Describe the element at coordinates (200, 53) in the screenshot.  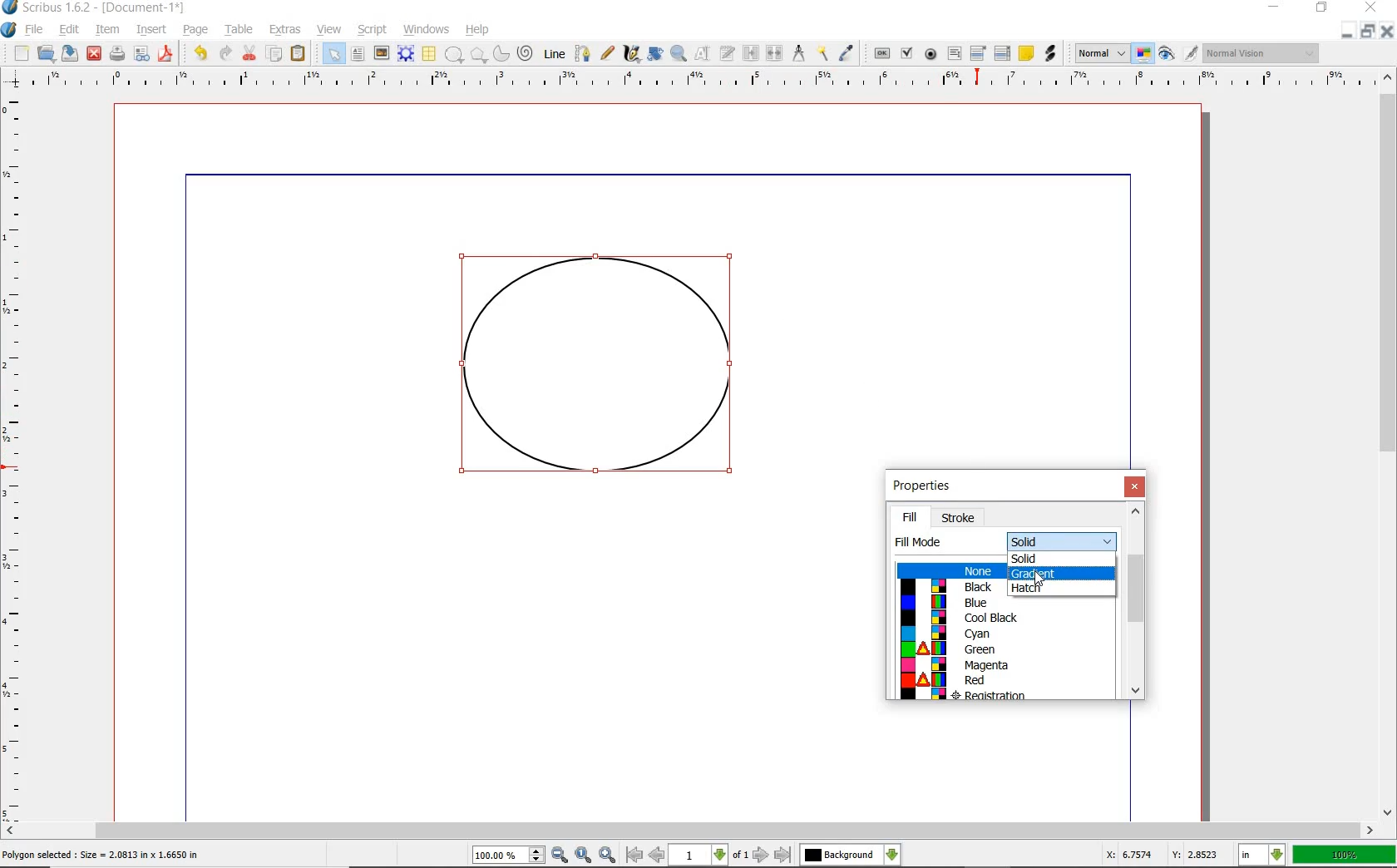
I see `UNDO` at that location.